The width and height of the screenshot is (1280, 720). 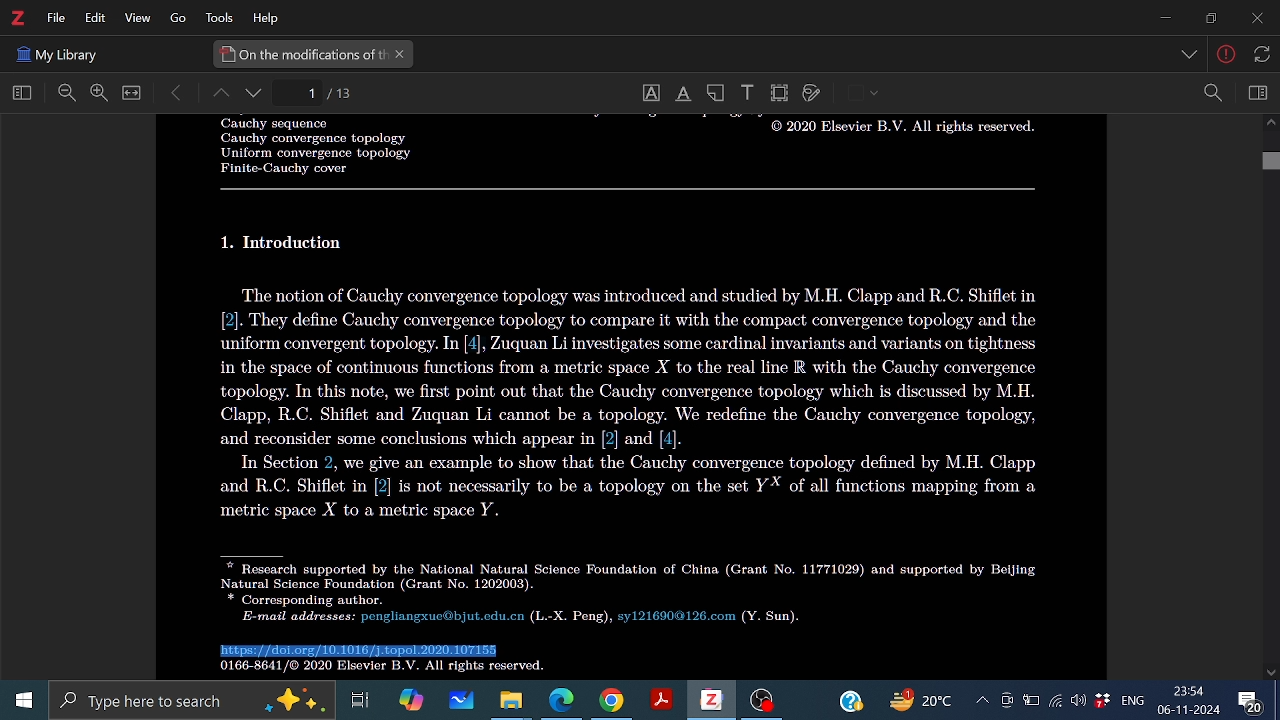 I want to click on Zoom out, so click(x=67, y=94).